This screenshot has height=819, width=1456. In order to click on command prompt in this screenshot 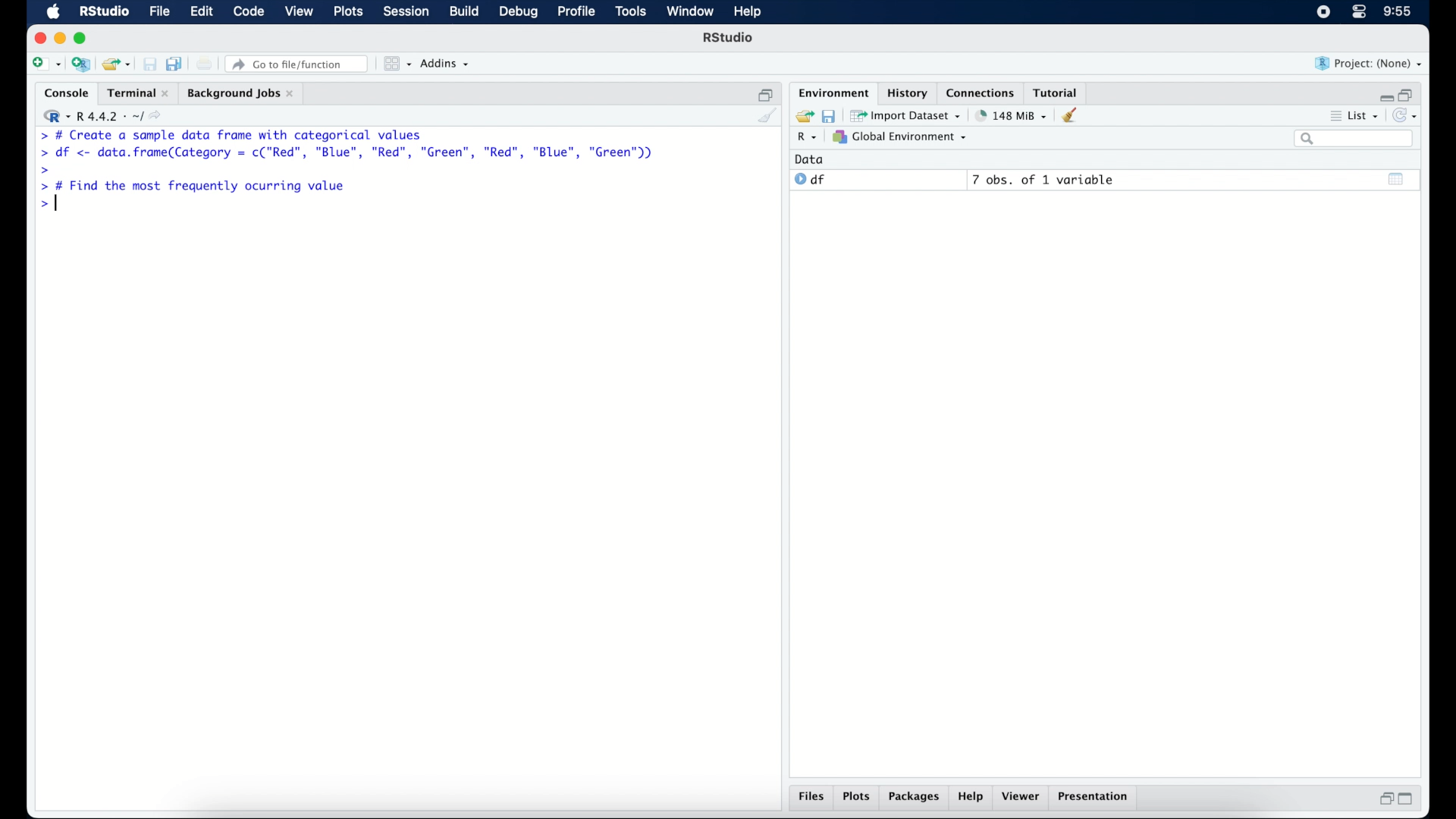, I will do `click(38, 135)`.